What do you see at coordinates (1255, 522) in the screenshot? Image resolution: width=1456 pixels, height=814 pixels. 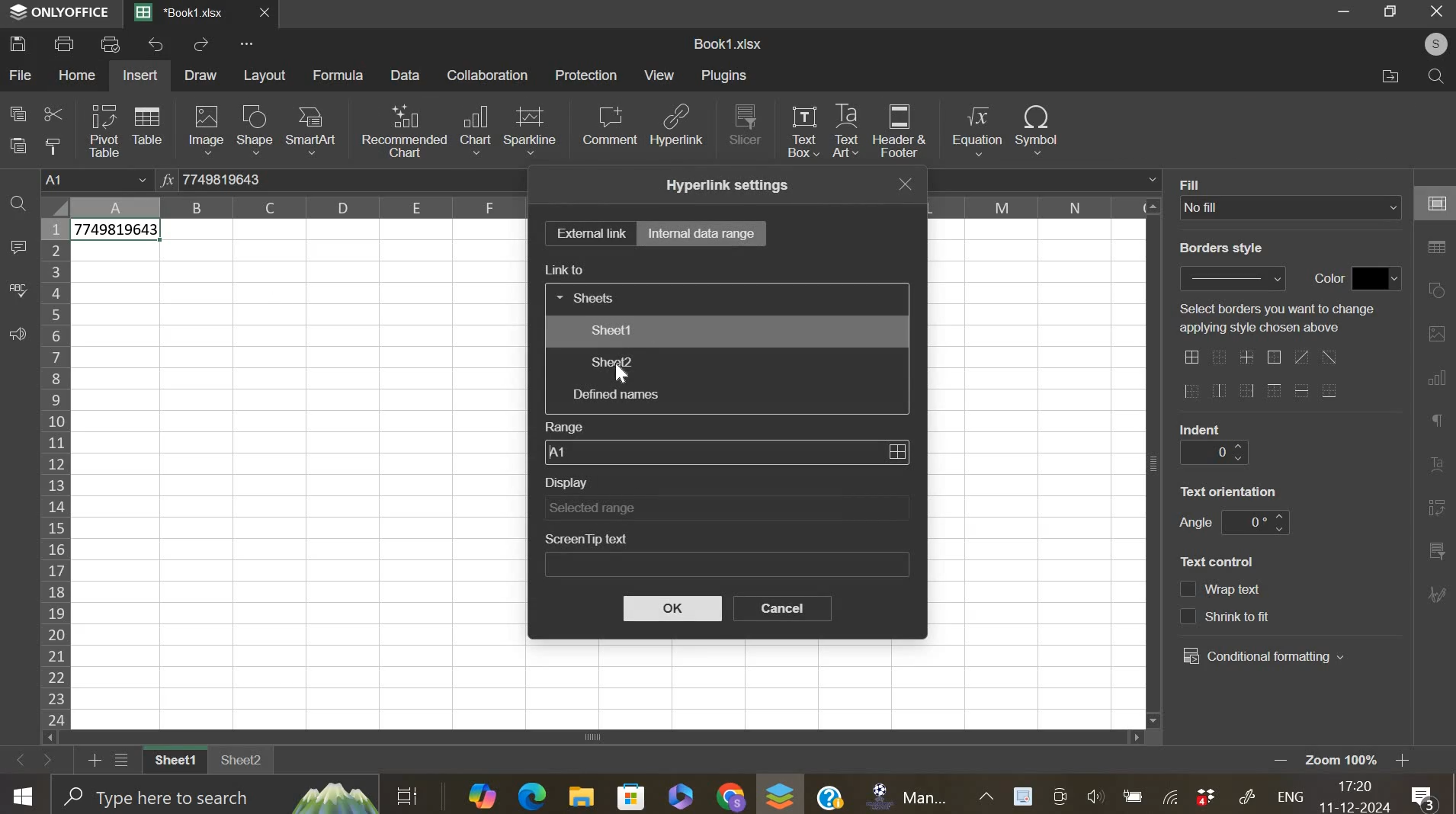 I see `text orientation angle` at bounding box center [1255, 522].